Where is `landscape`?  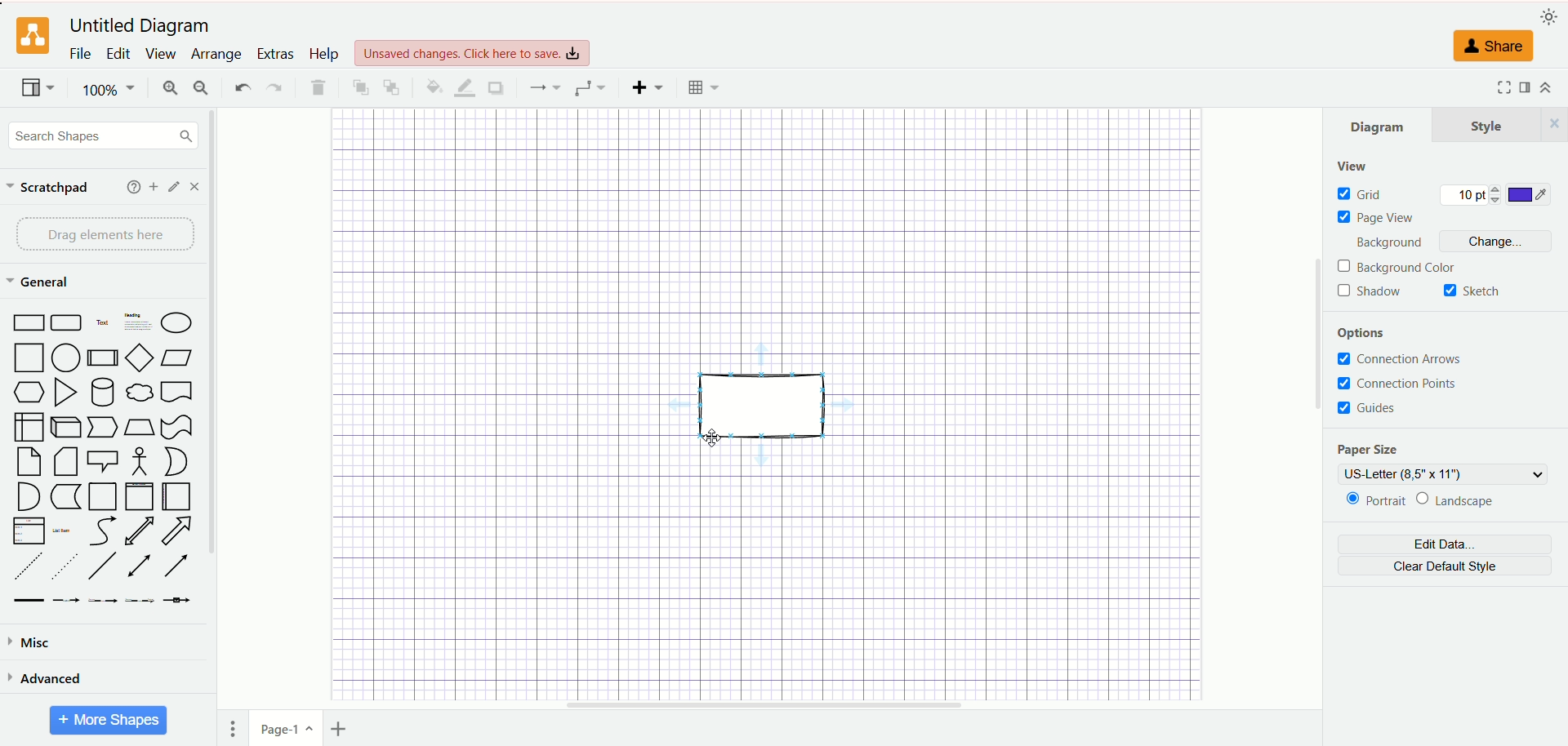
landscape is located at coordinates (1466, 500).